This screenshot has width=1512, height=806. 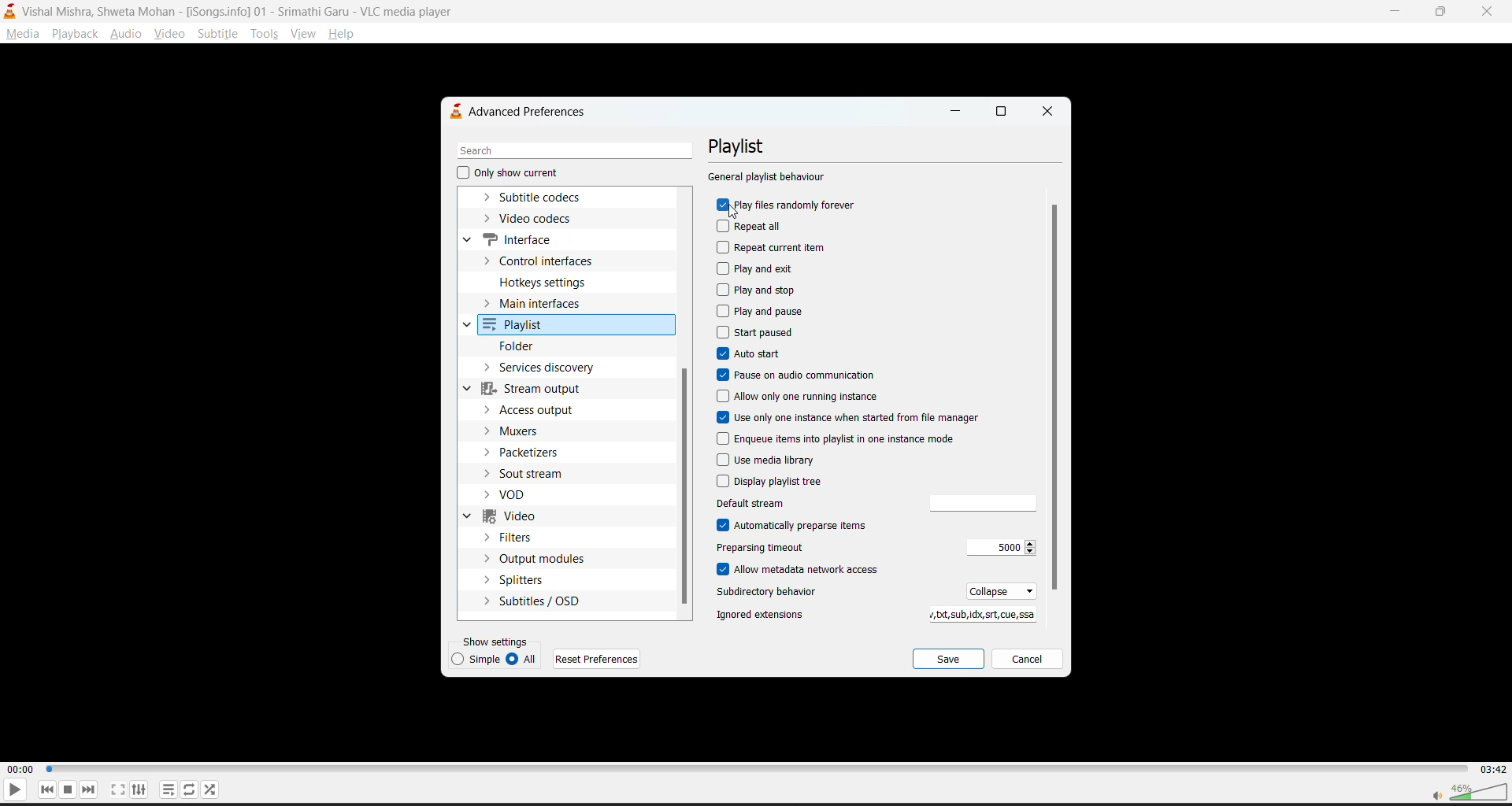 What do you see at coordinates (539, 220) in the screenshot?
I see `video codecs` at bounding box center [539, 220].